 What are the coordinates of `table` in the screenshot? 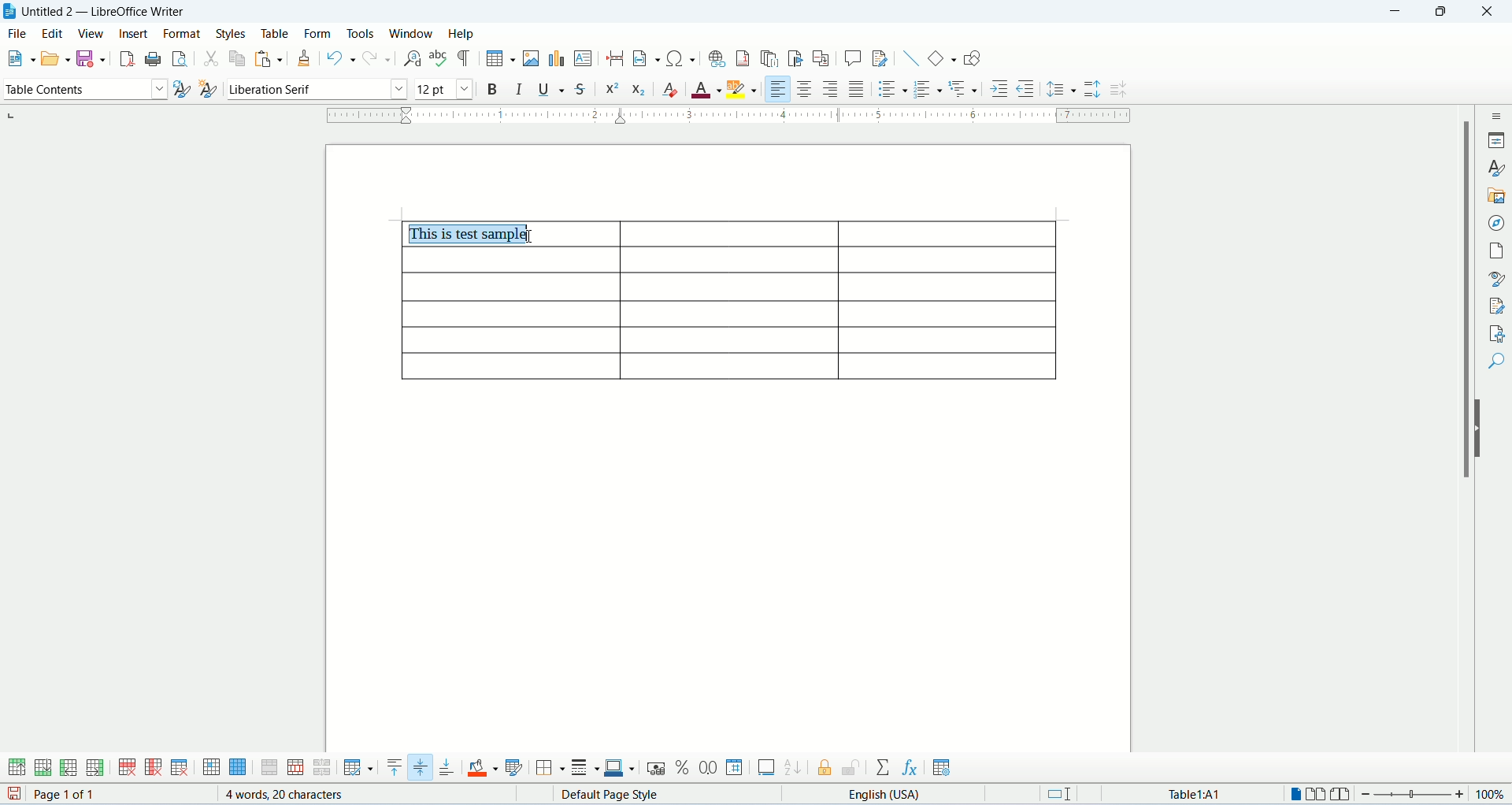 It's located at (727, 317).